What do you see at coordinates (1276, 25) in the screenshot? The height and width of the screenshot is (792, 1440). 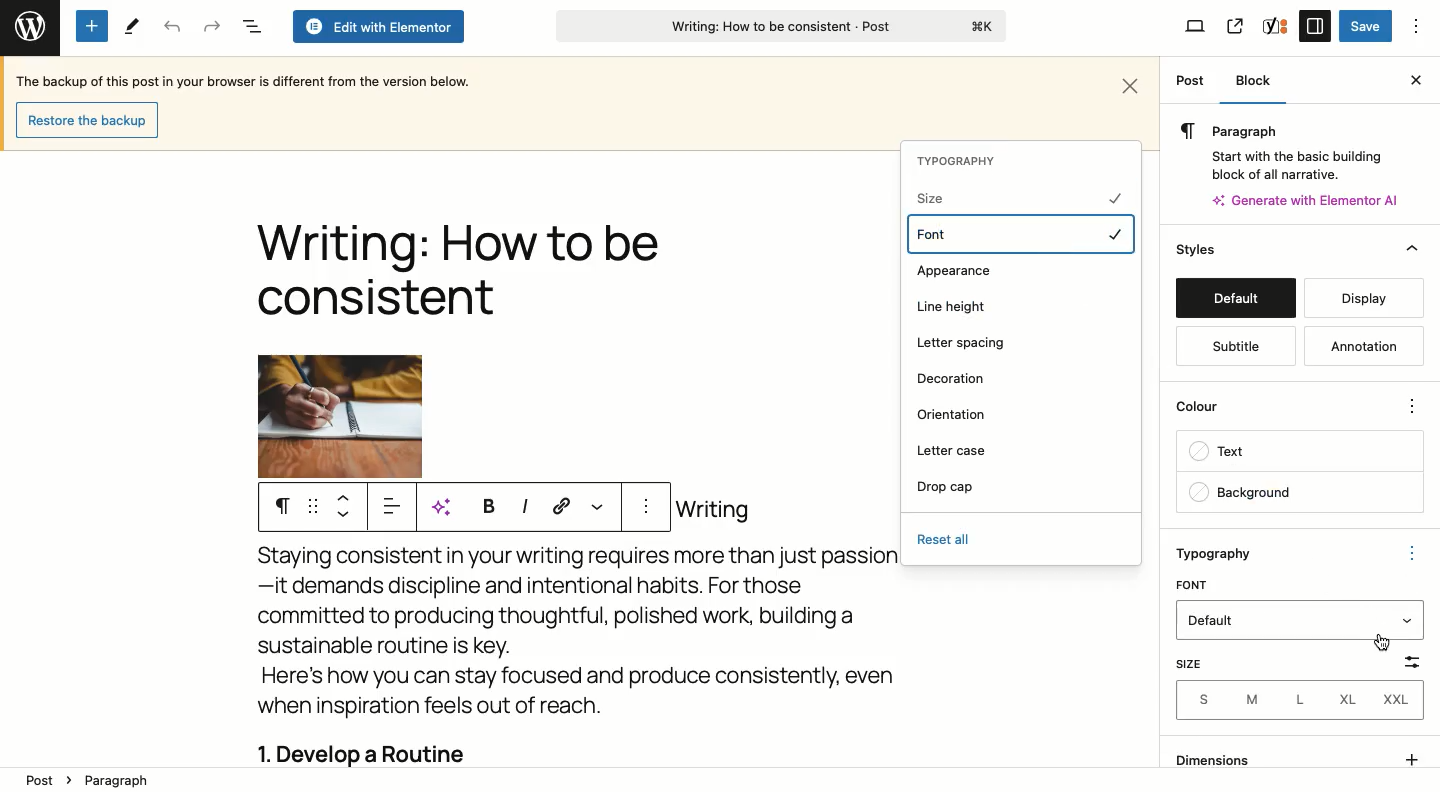 I see `Yoast` at bounding box center [1276, 25].